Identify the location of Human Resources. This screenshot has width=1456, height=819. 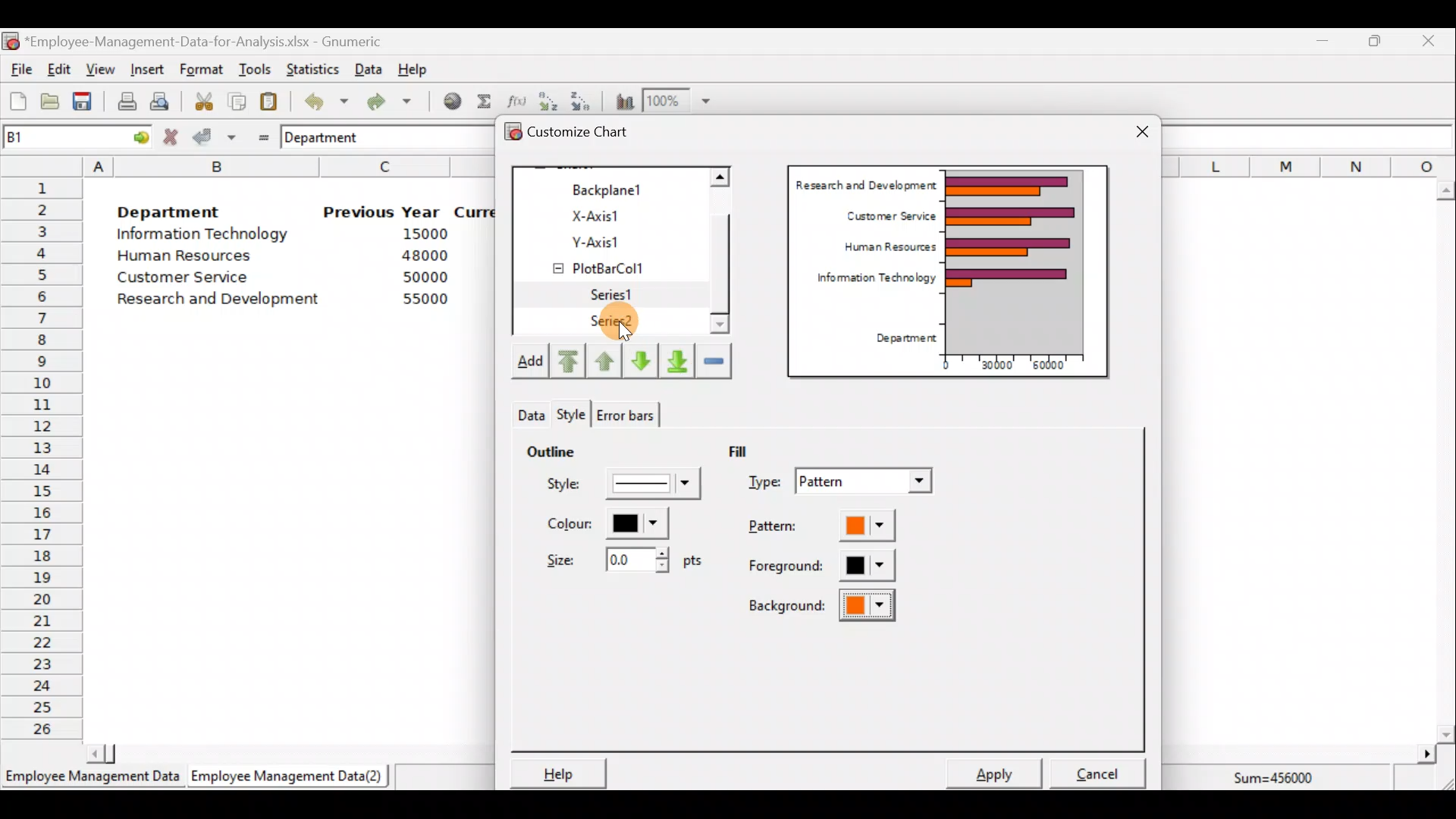
(192, 257).